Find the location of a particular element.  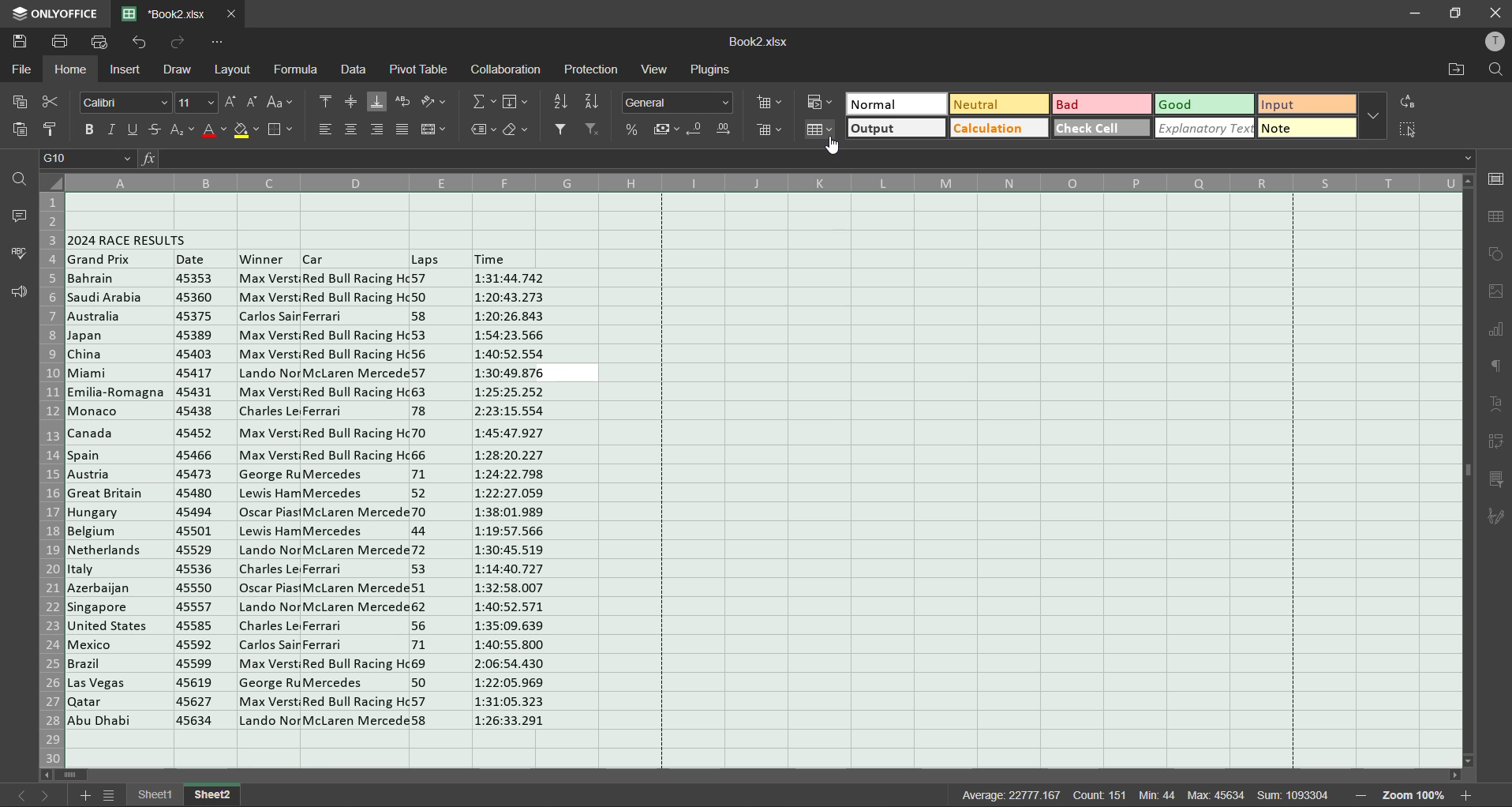

customize quick access toolbar is located at coordinates (219, 41).